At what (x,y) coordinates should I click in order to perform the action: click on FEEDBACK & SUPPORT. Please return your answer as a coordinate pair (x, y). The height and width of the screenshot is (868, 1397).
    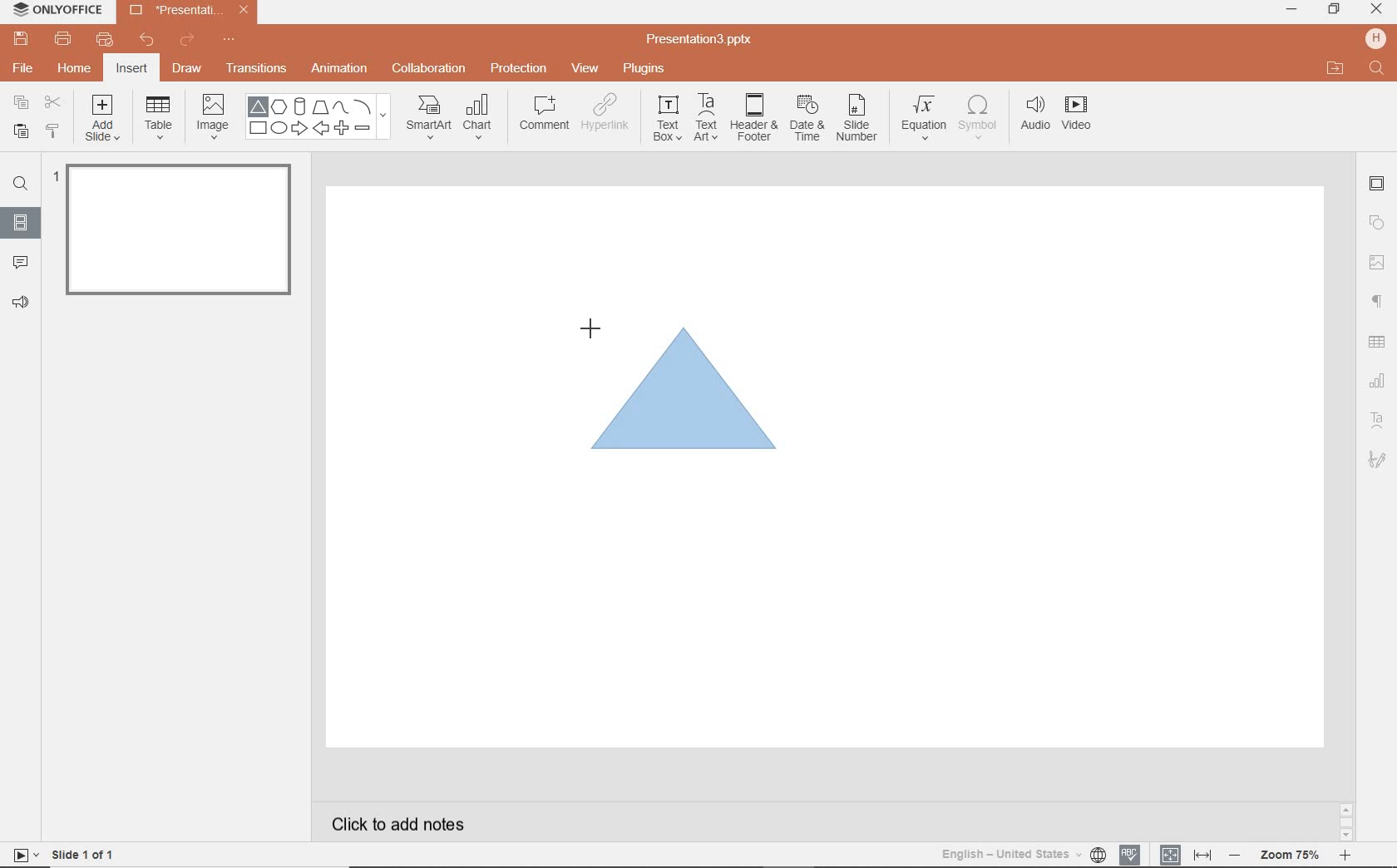
    Looking at the image, I should click on (23, 302).